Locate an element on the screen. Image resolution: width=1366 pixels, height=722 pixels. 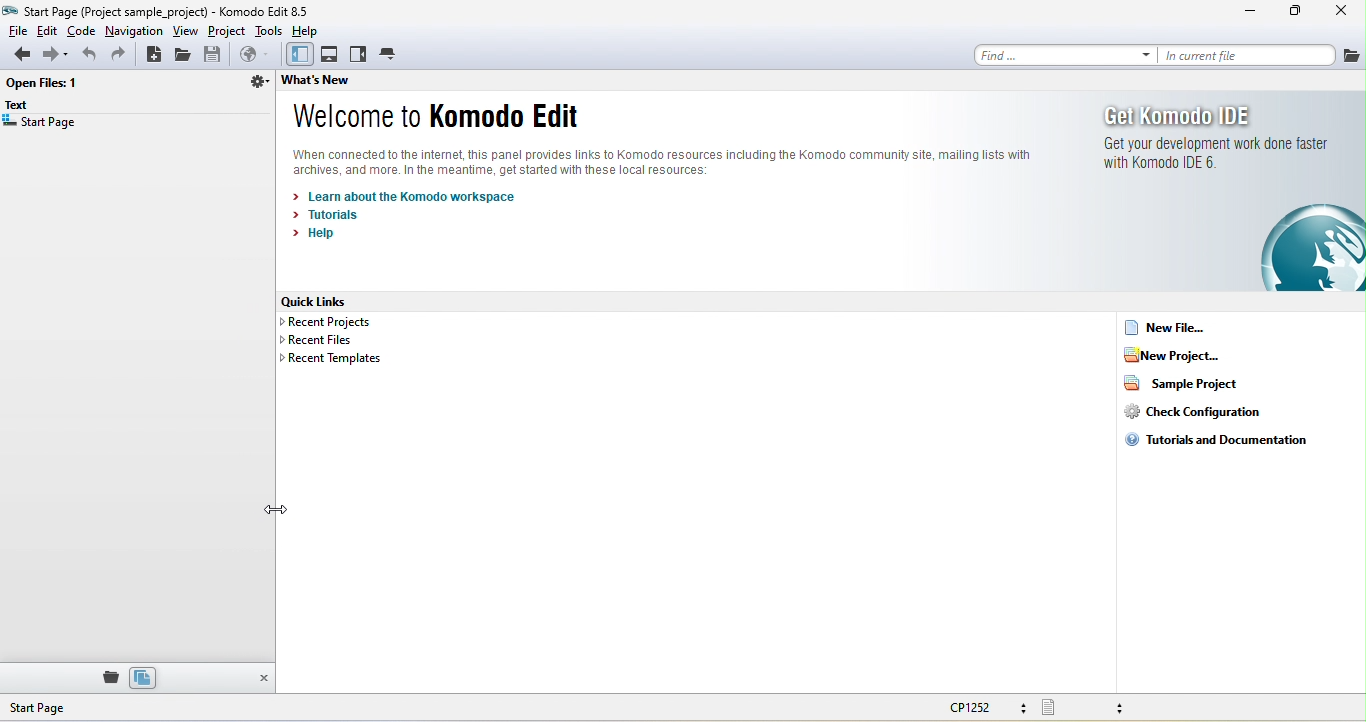
maximize is located at coordinates (1295, 13).